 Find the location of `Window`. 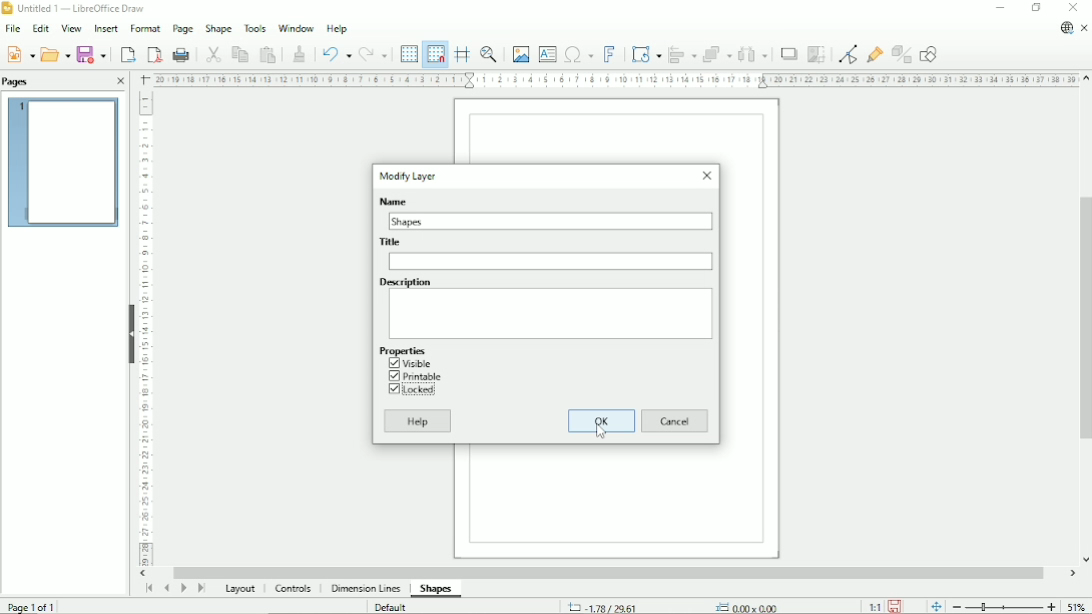

Window is located at coordinates (296, 27).